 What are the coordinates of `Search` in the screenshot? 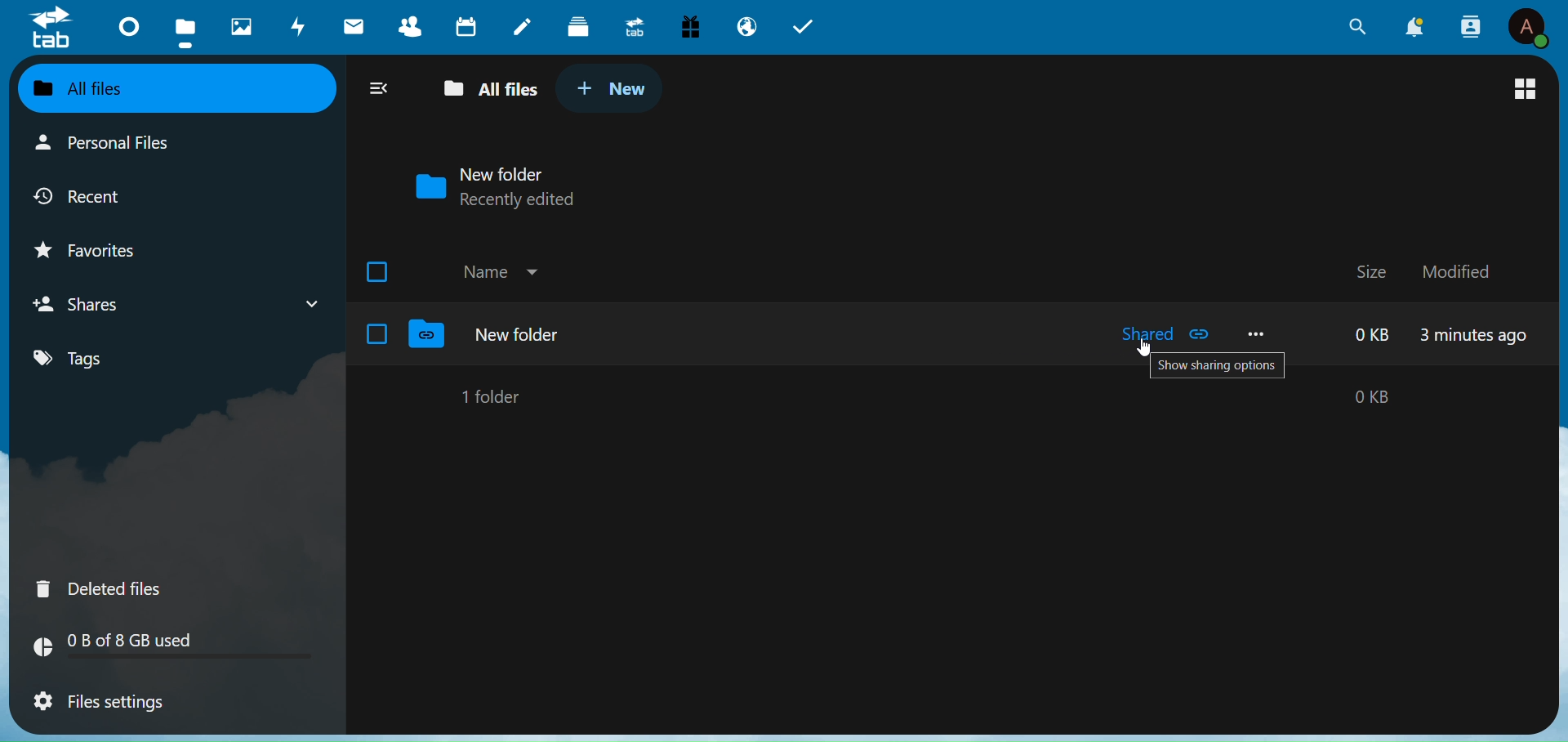 It's located at (1354, 28).